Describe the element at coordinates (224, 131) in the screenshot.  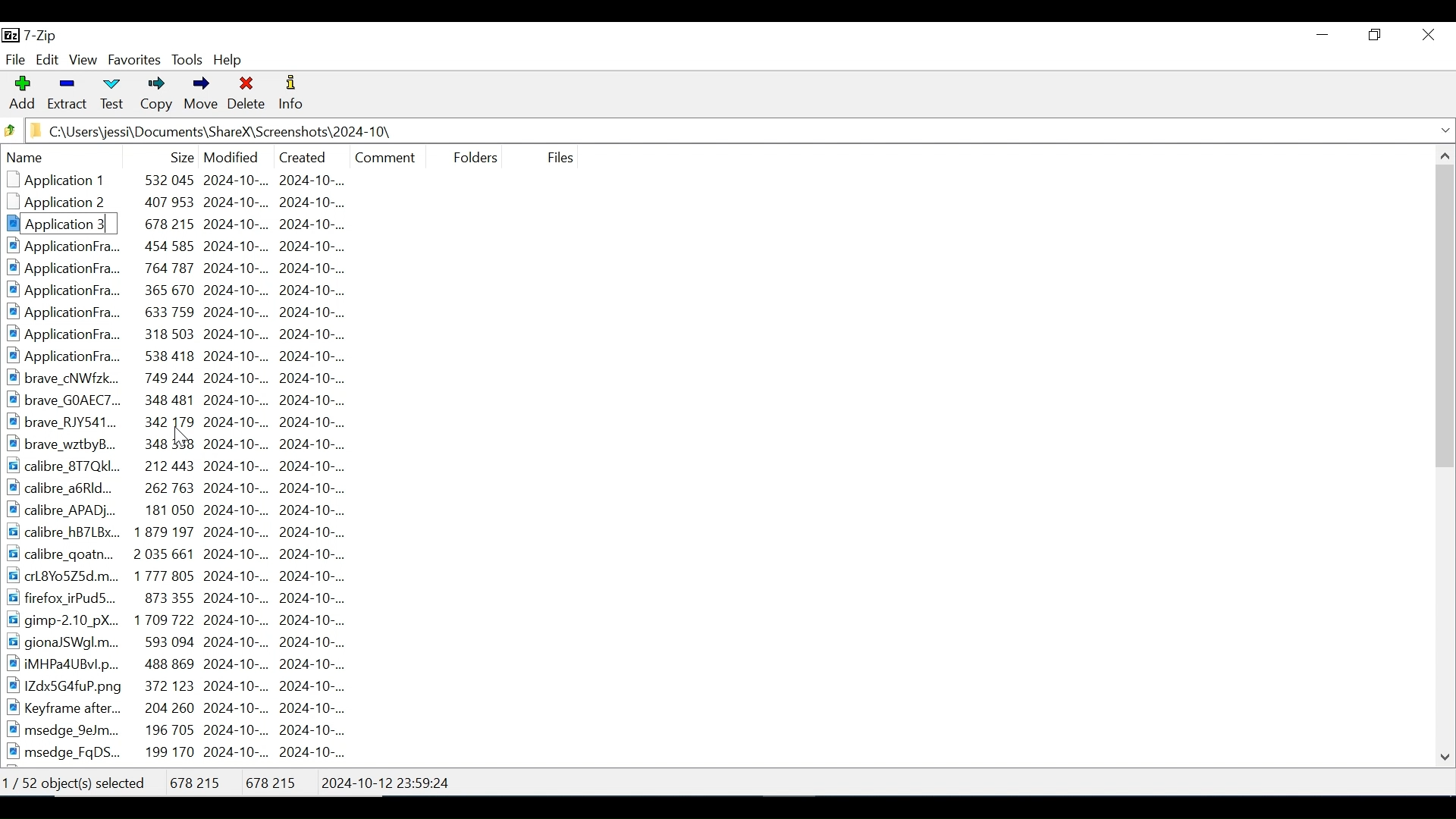
I see `C:\Users\jessi\Documents\ShareX\Screenshots\2024-10\` at that location.